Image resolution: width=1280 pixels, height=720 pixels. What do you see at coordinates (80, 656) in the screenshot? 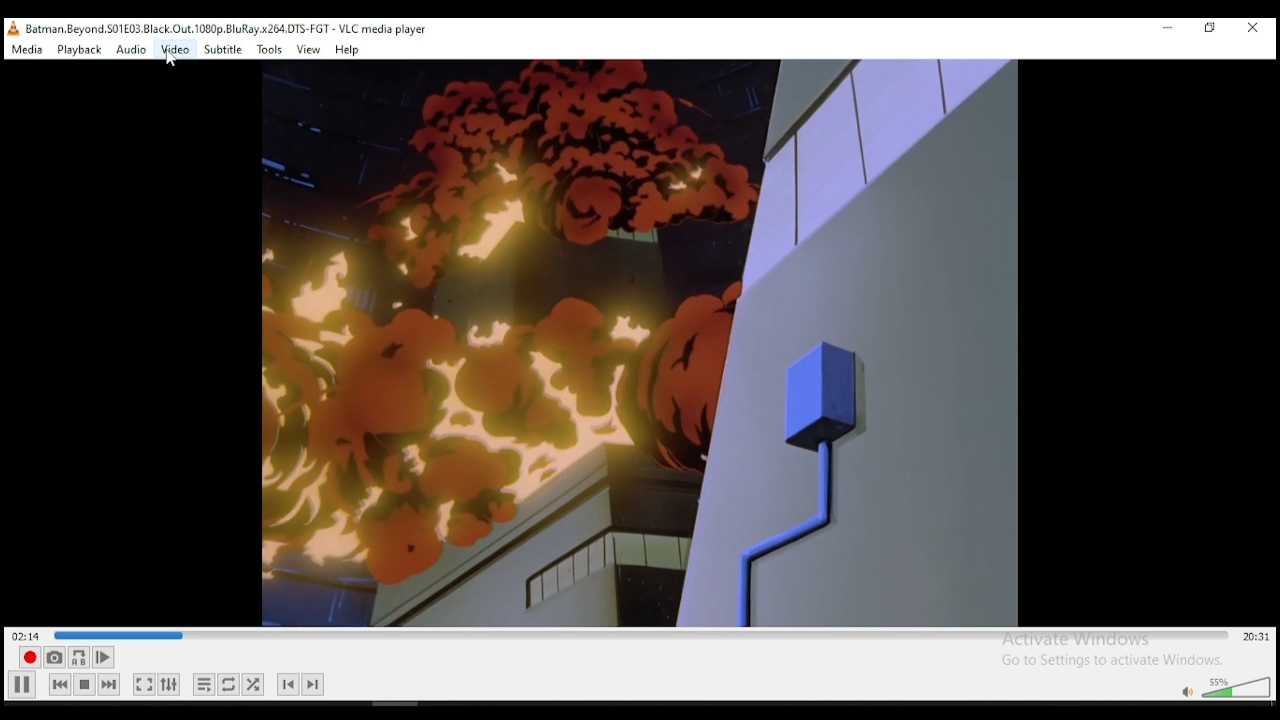
I see `loop between point A and point B.. click to add point A` at bounding box center [80, 656].